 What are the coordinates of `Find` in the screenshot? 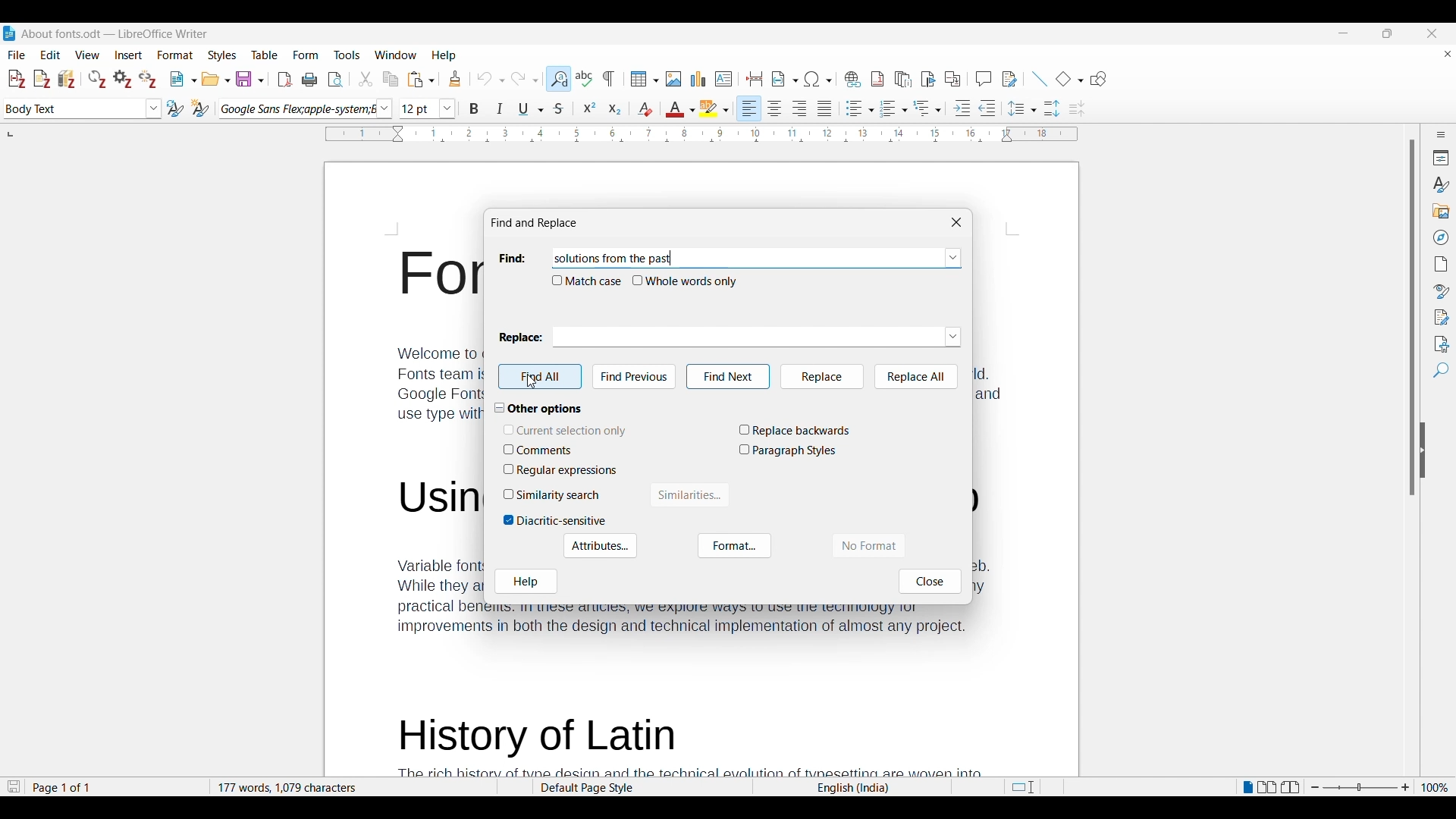 It's located at (1440, 371).